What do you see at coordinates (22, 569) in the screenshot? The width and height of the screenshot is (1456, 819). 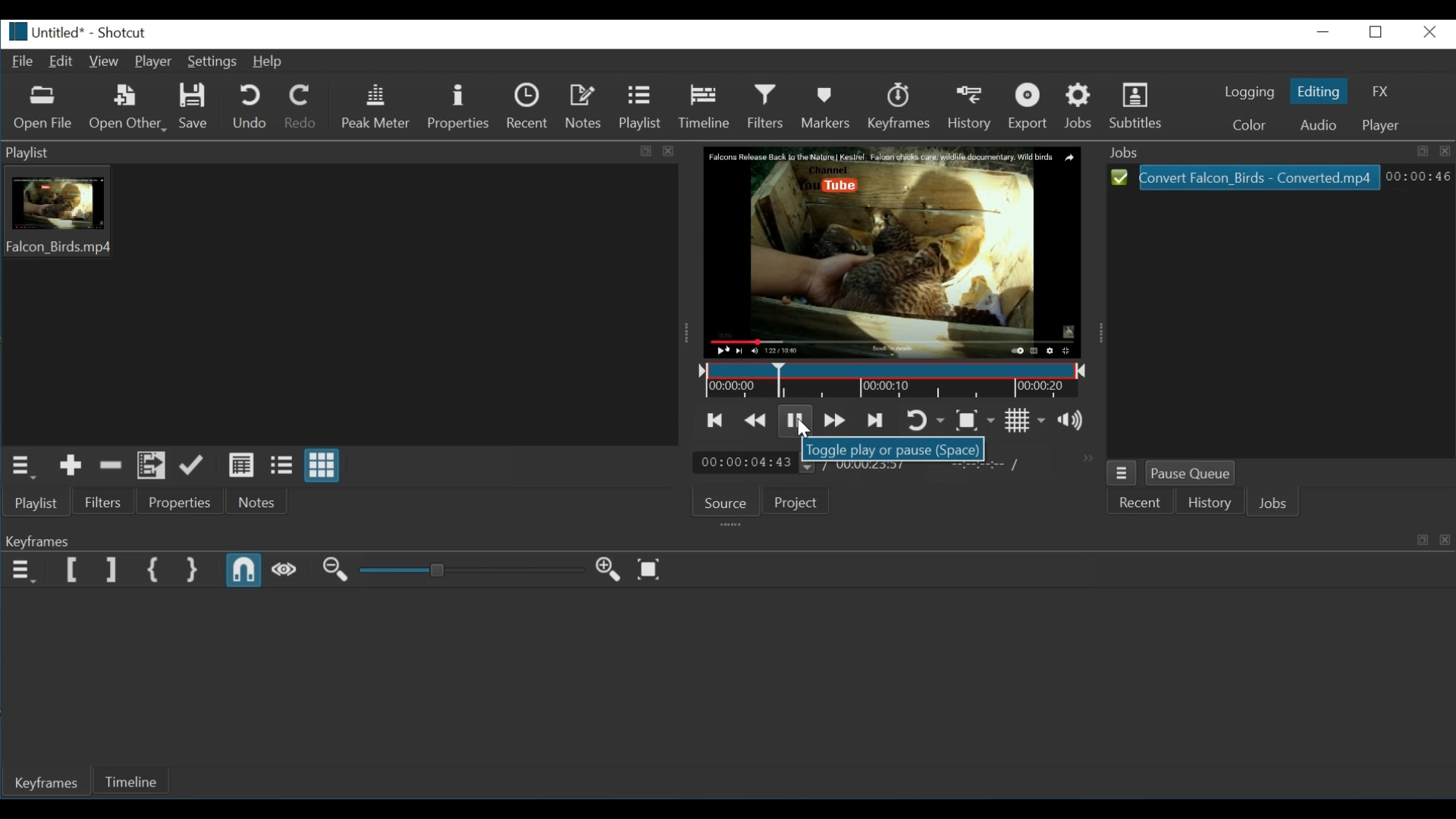 I see `Keyframe menu` at bounding box center [22, 569].